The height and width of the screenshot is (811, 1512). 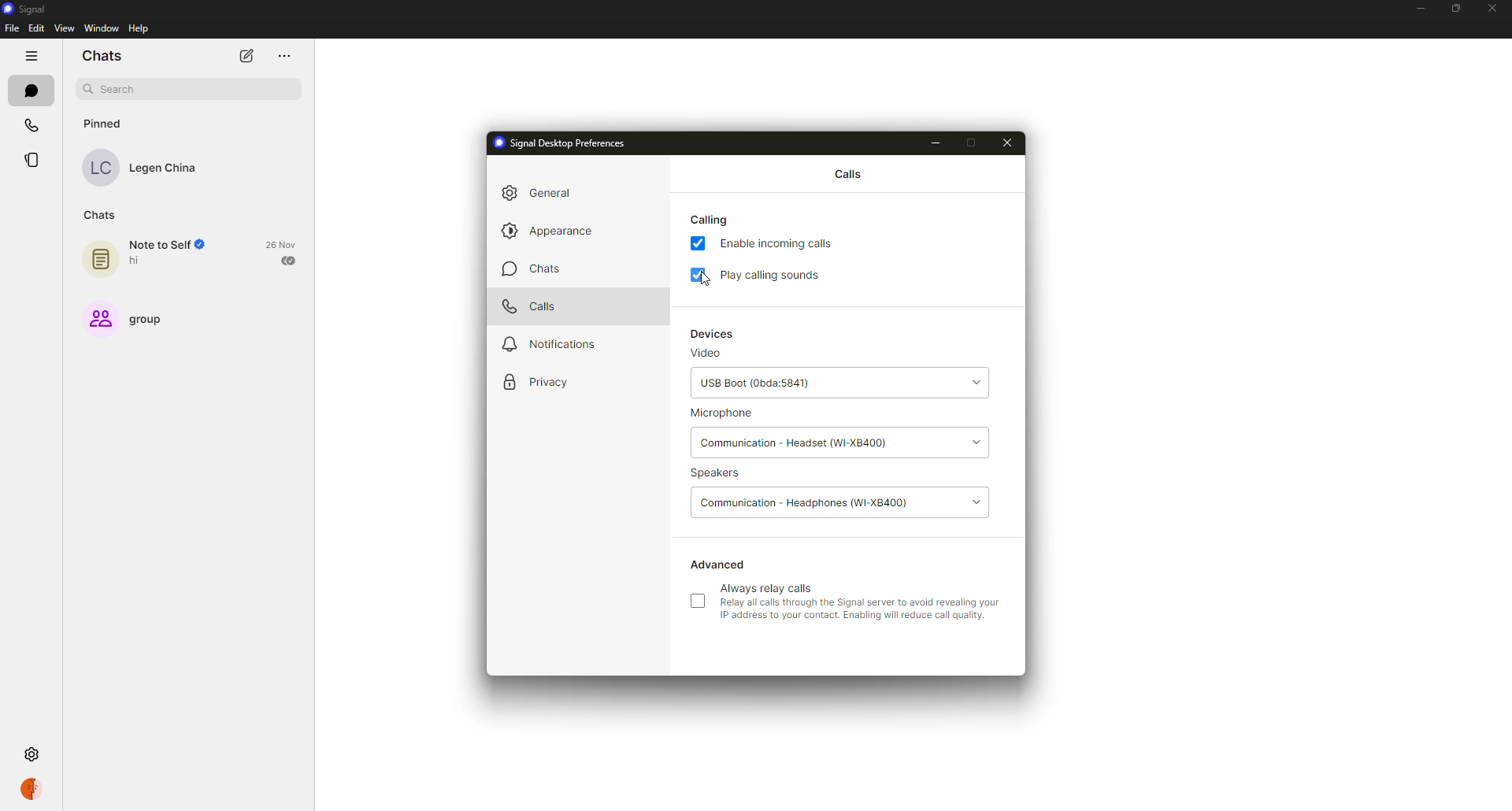 I want to click on enabled, so click(x=699, y=275).